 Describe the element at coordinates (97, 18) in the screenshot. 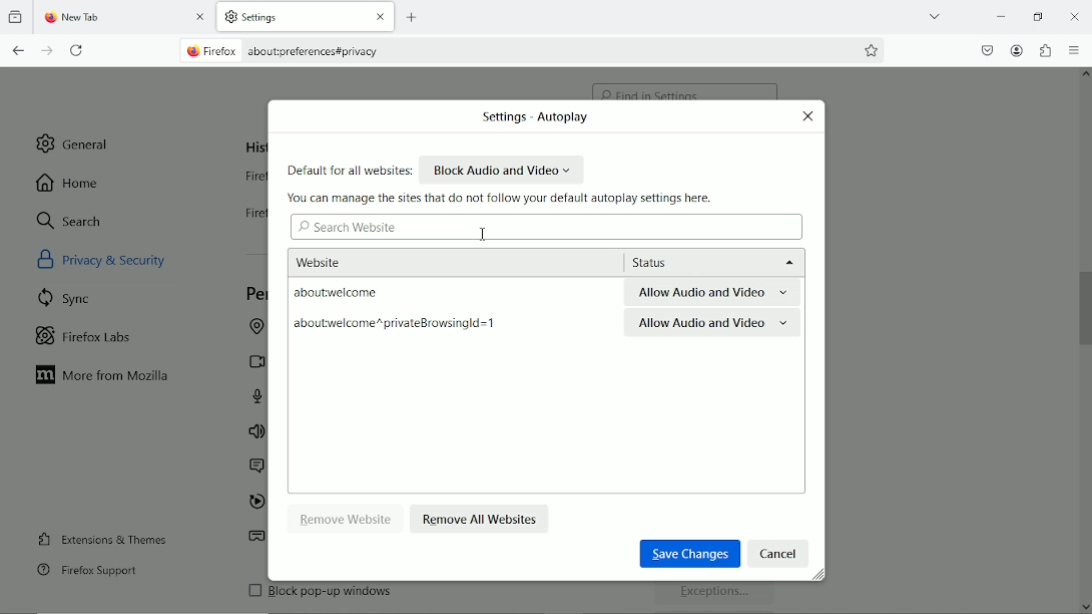

I see `new tab` at that location.